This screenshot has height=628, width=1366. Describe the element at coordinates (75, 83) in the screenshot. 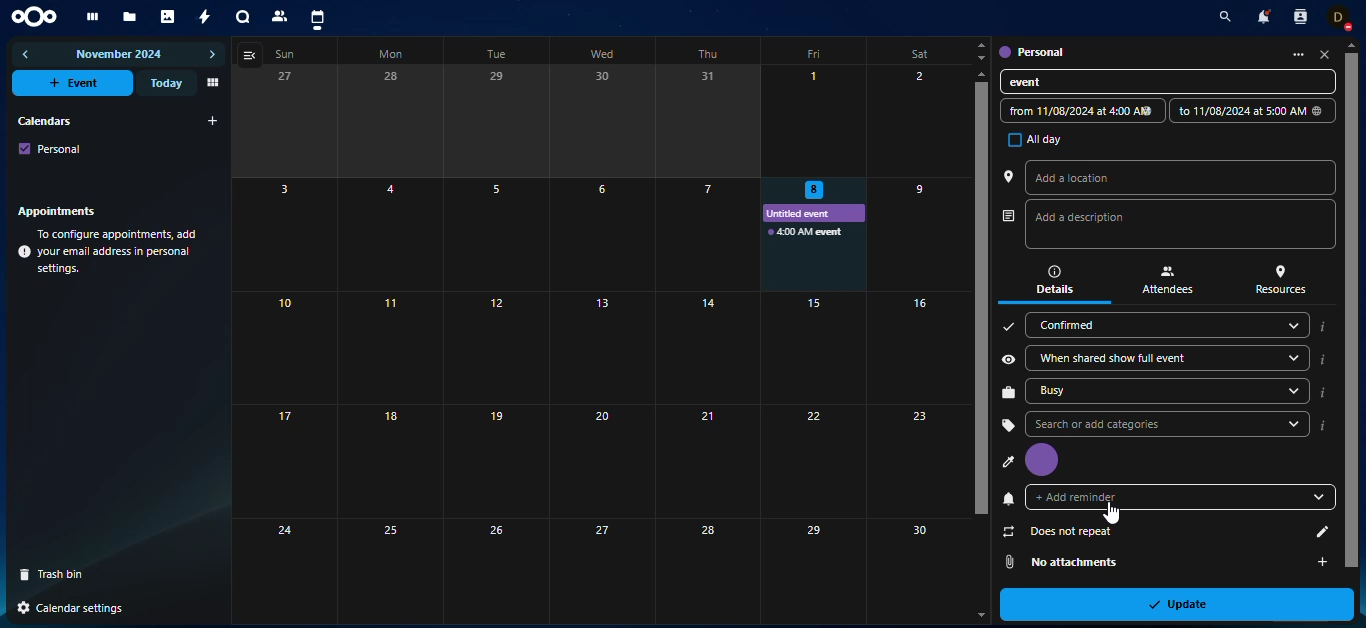

I see `event` at that location.